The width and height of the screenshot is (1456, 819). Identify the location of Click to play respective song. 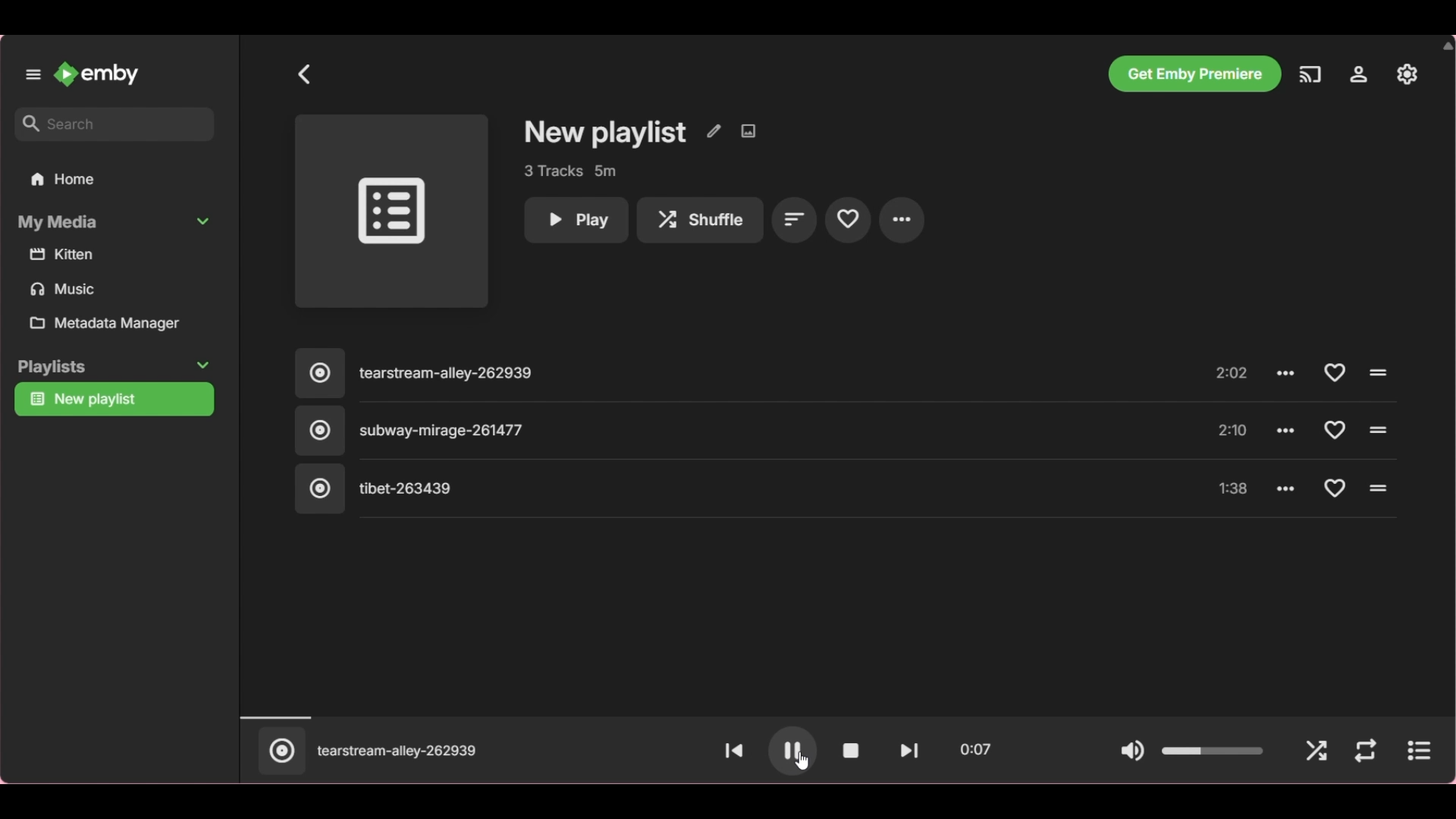
(1378, 429).